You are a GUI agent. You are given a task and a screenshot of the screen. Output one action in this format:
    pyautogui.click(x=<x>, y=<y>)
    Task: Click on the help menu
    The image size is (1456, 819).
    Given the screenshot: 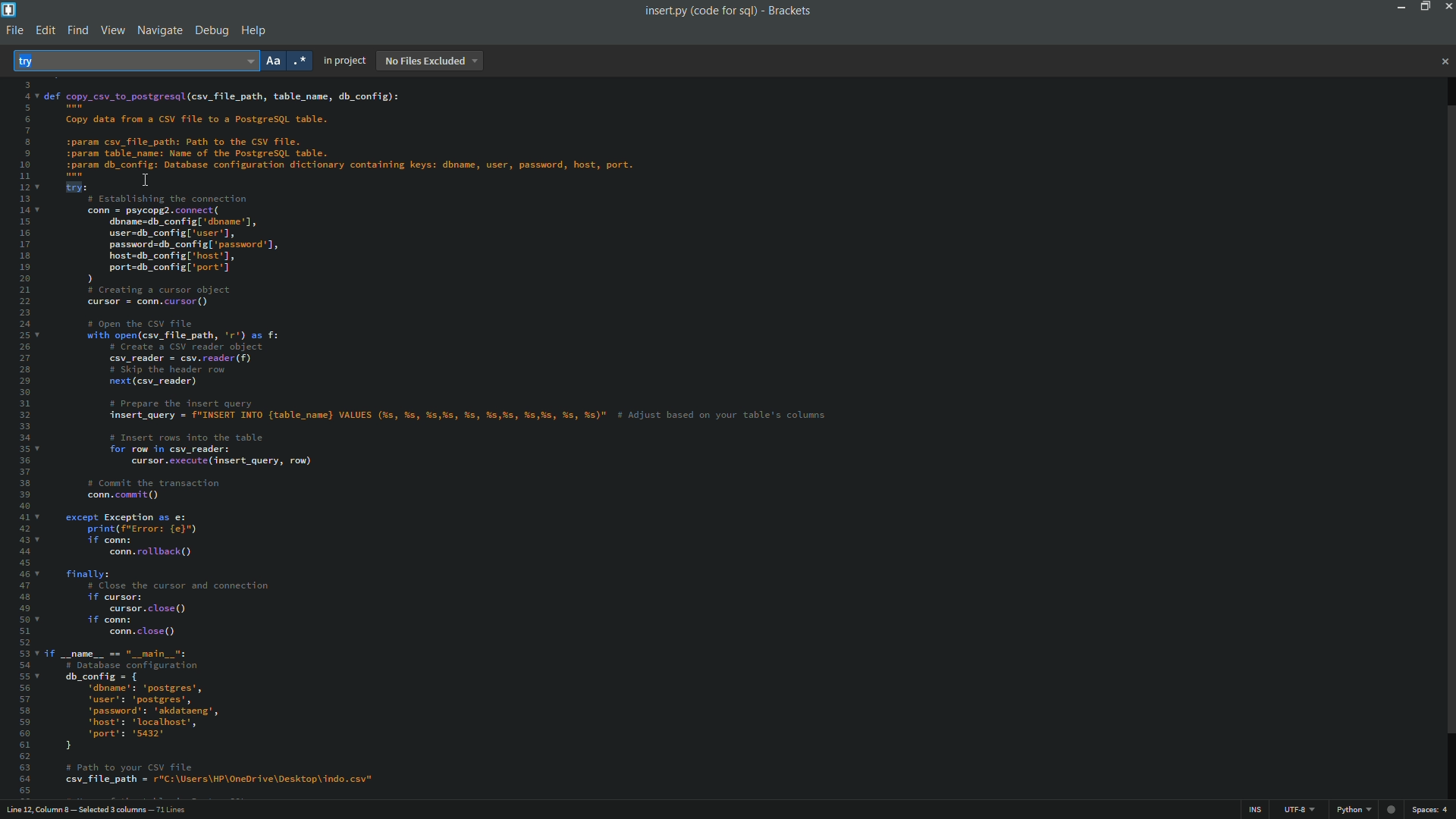 What is the action you would take?
    pyautogui.click(x=256, y=31)
    